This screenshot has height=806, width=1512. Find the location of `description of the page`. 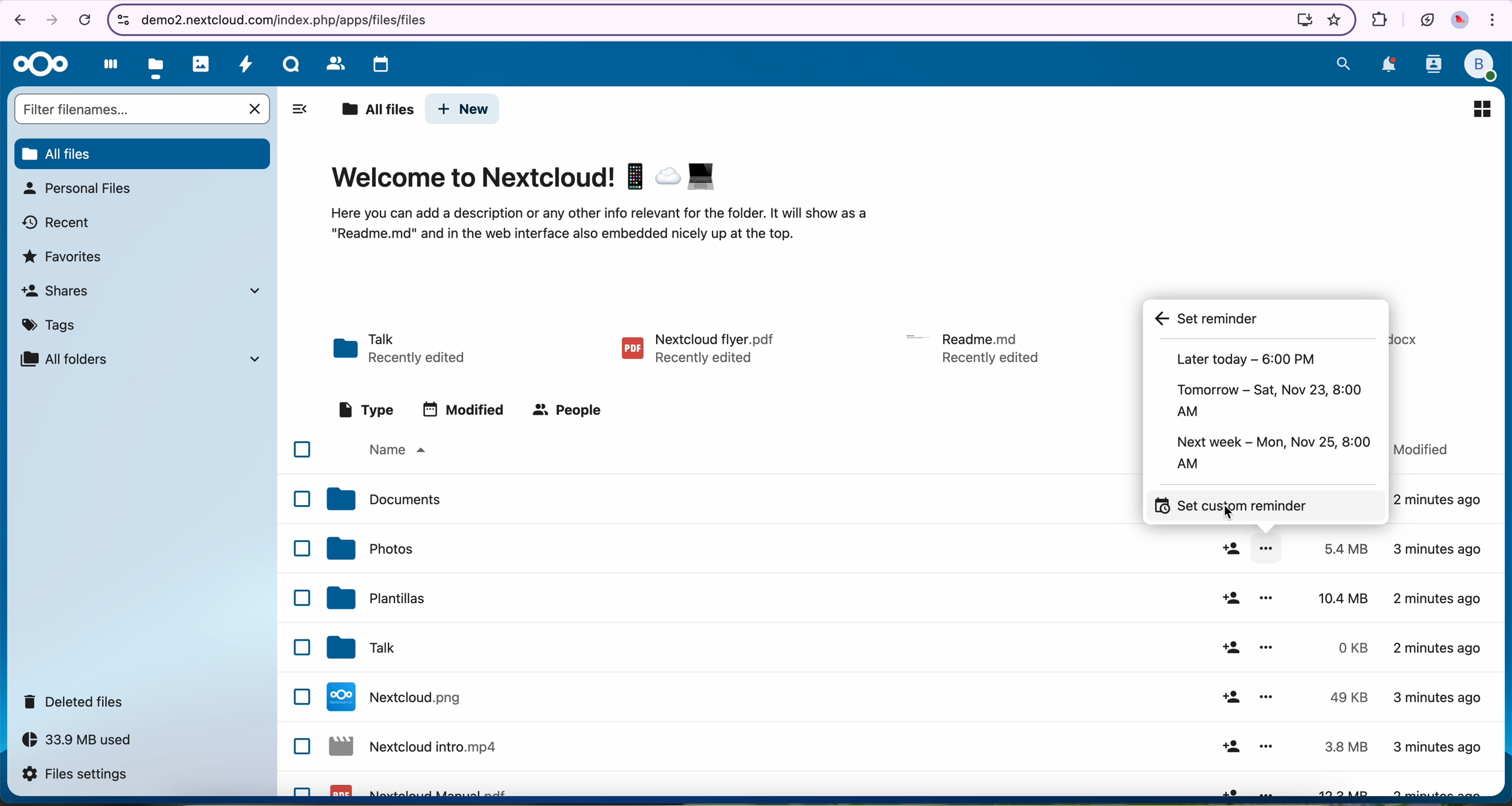

description of the page is located at coordinates (603, 226).